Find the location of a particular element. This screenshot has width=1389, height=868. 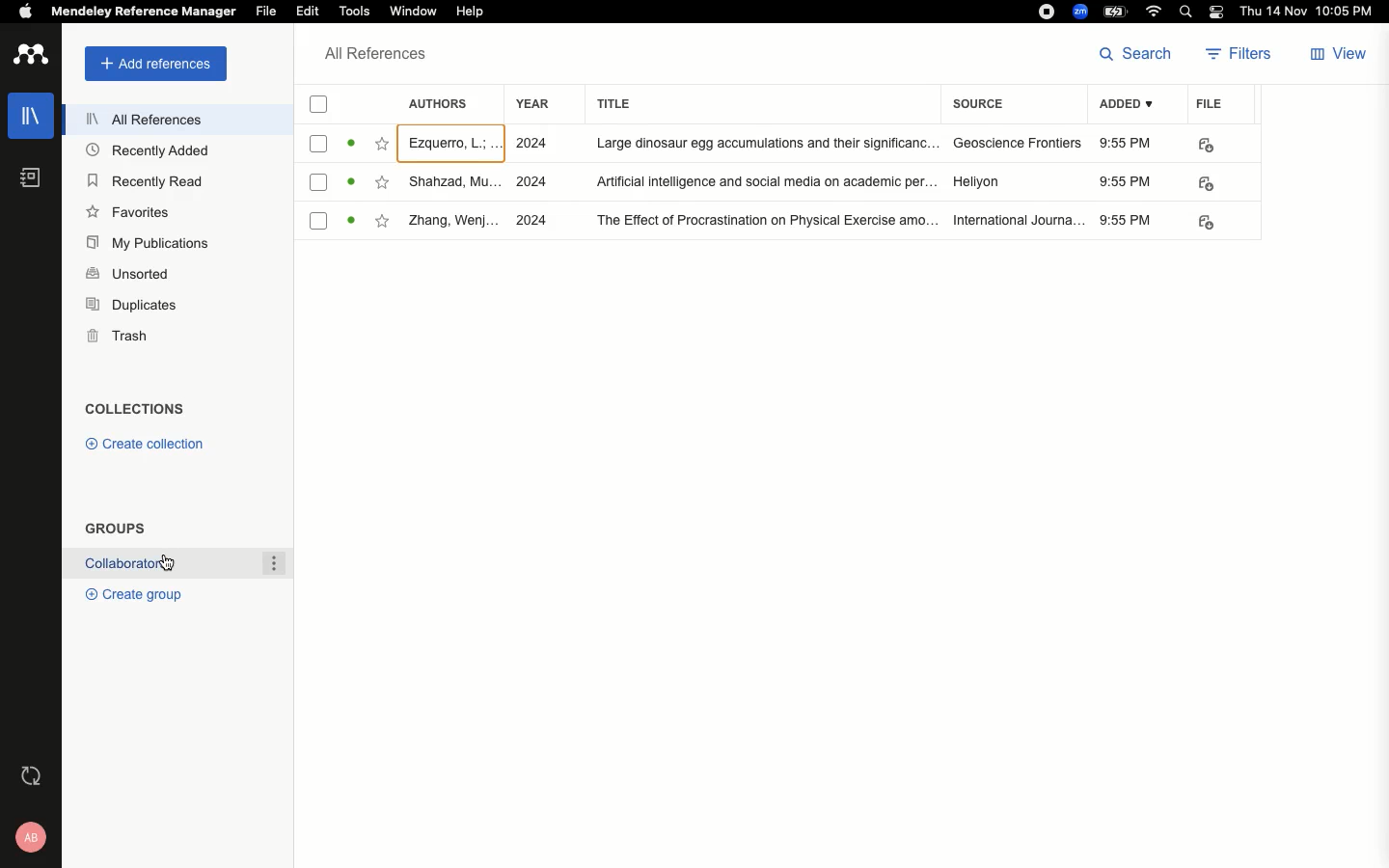

Recently added is located at coordinates (146, 150).